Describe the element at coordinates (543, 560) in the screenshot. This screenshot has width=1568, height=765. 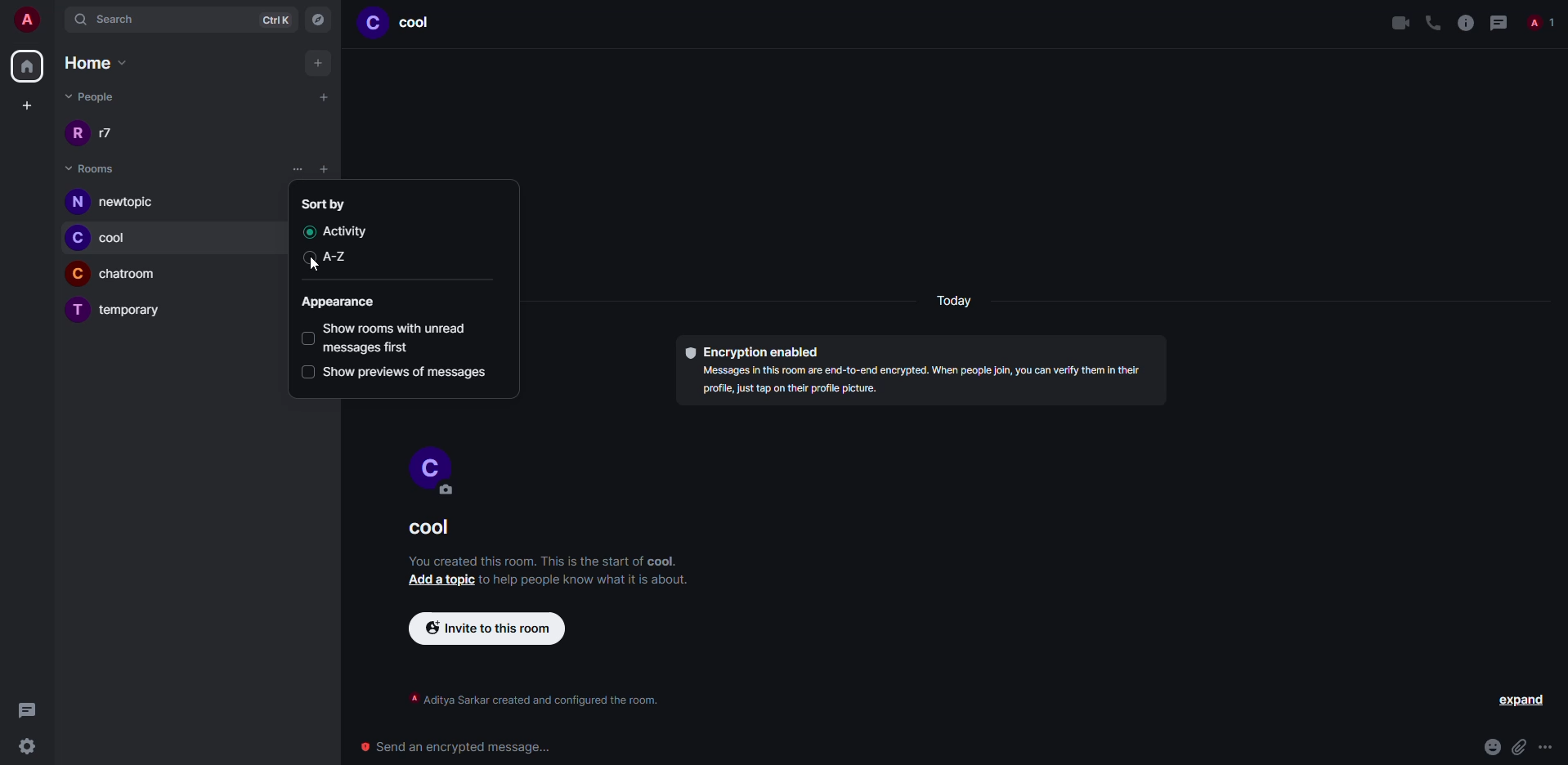
I see `info` at that location.